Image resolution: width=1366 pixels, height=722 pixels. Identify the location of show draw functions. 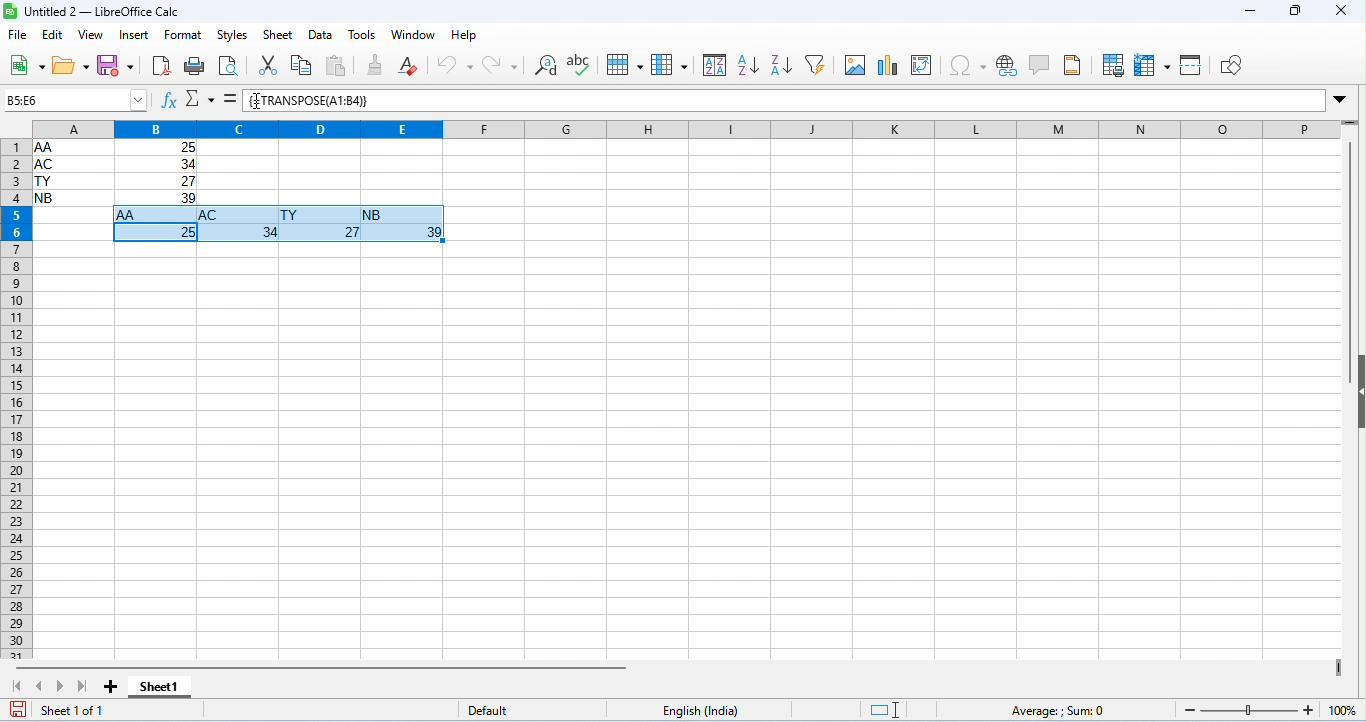
(1232, 67).